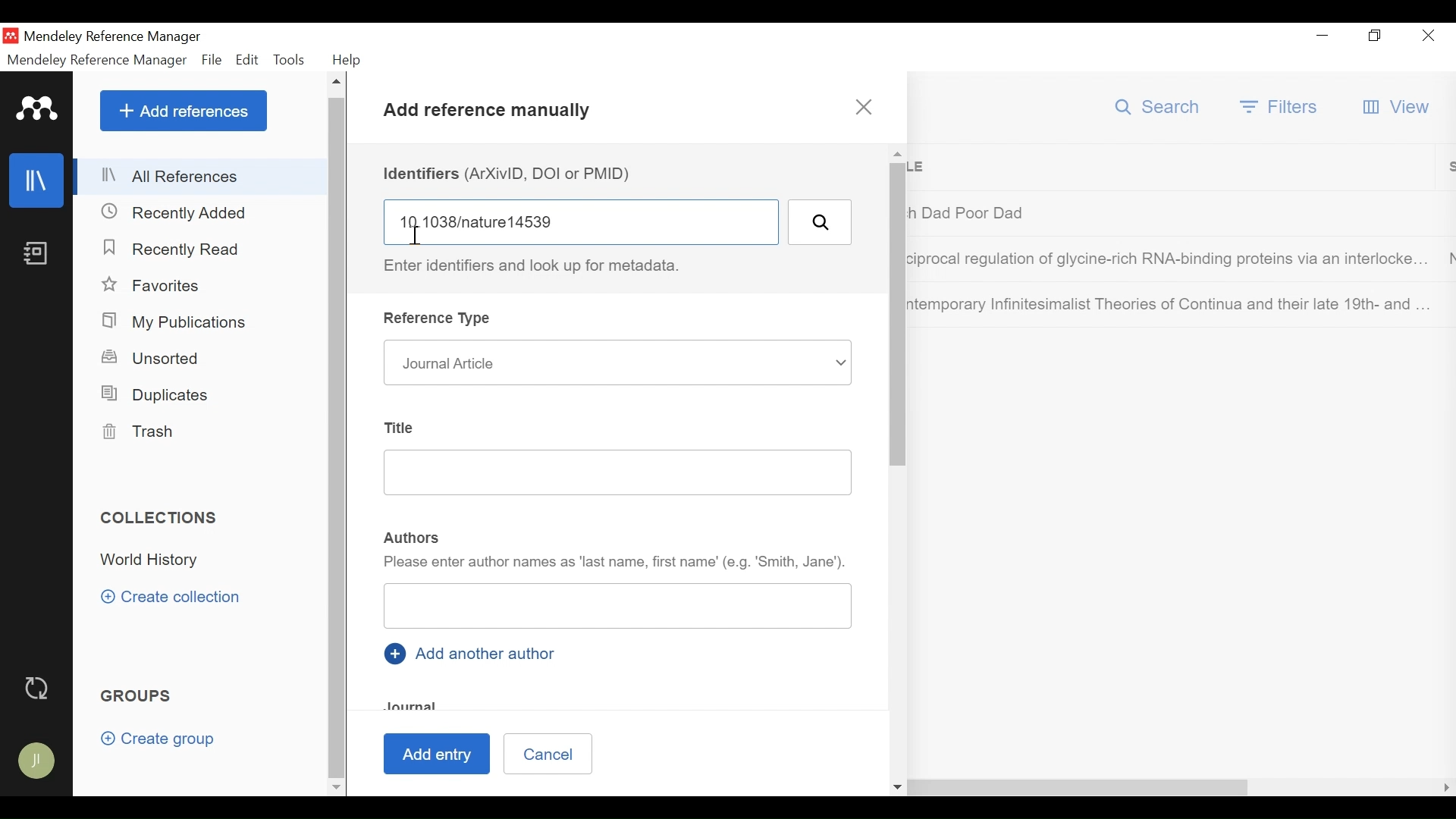 The height and width of the screenshot is (819, 1456). Describe the element at coordinates (440, 318) in the screenshot. I see `Reference Type` at that location.